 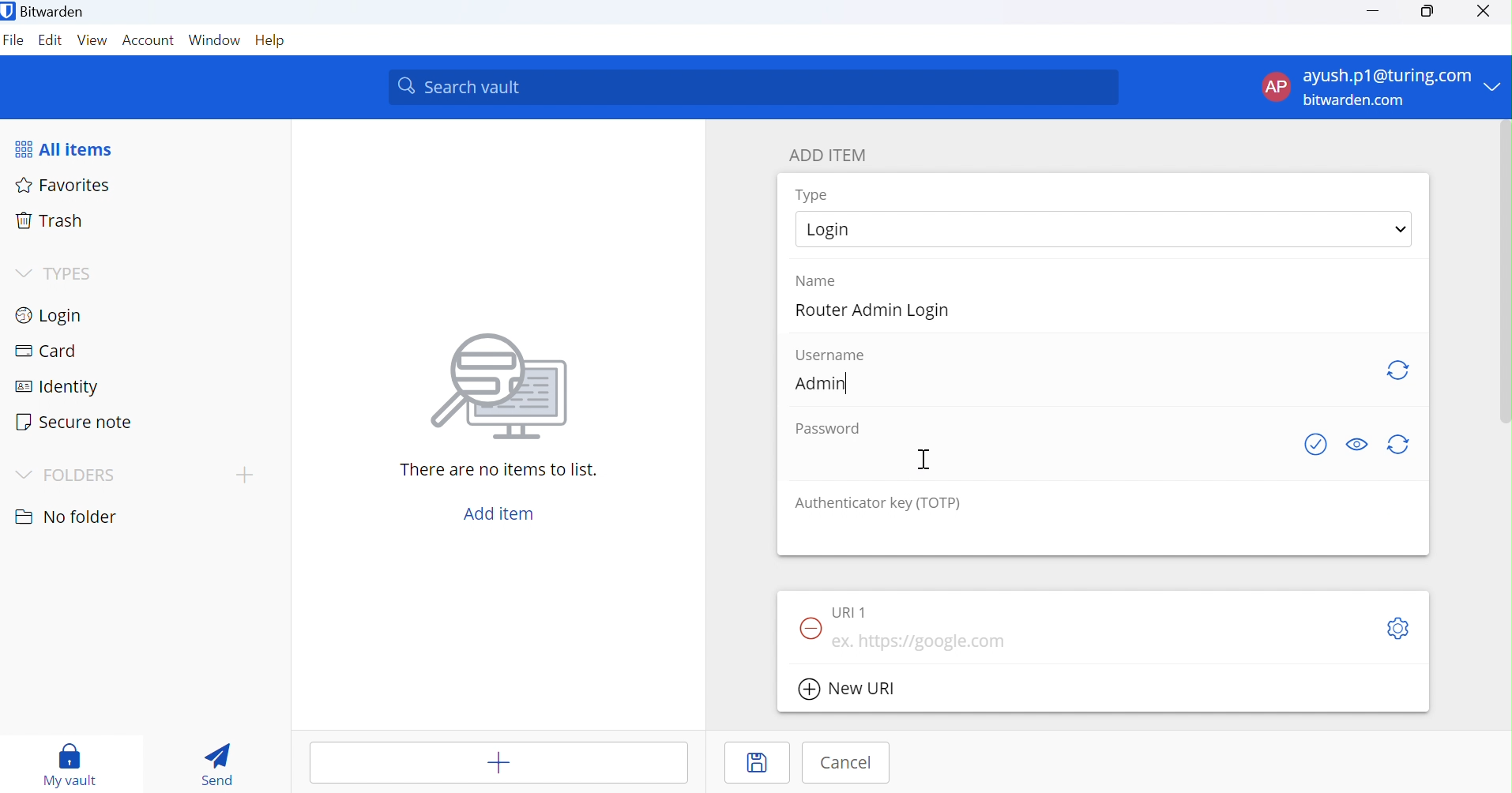 I want to click on vertical scrollbar, so click(x=1506, y=273).